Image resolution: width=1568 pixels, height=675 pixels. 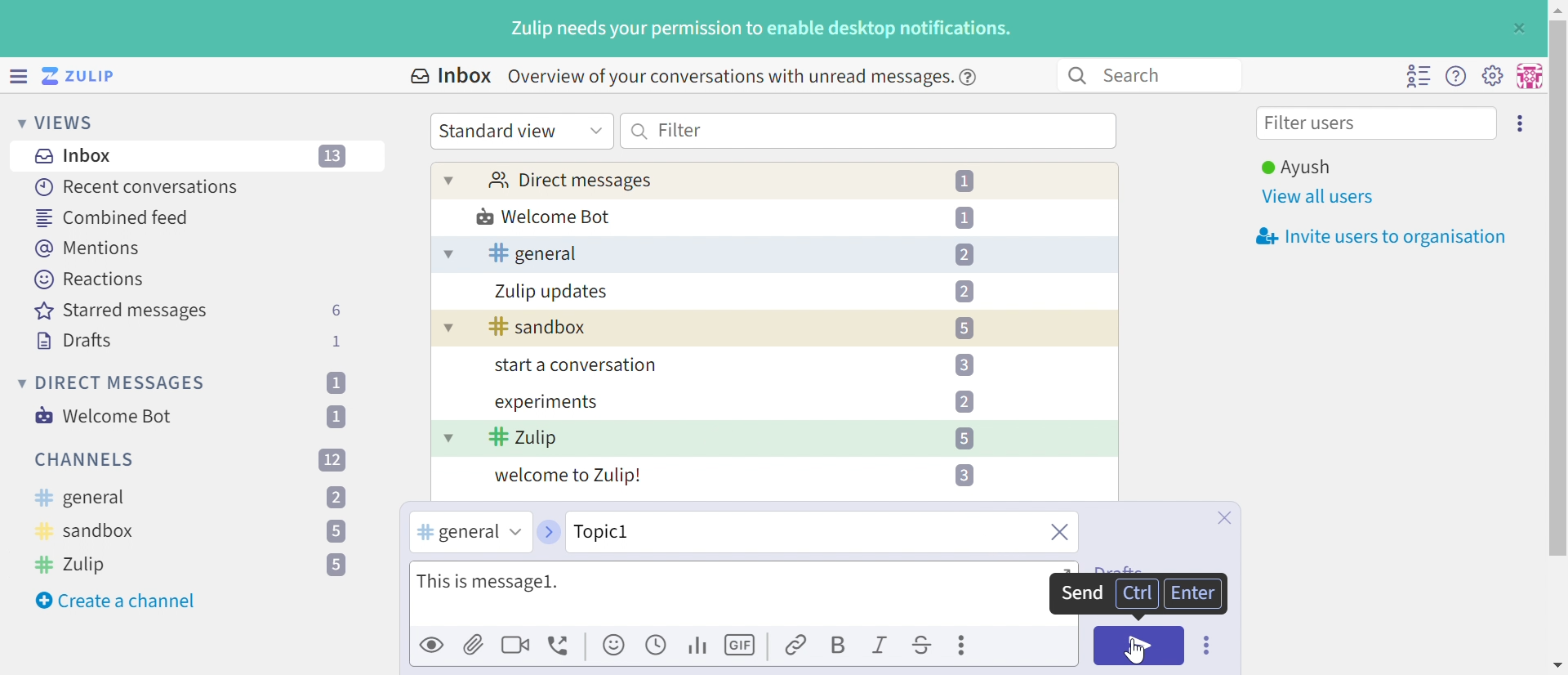 What do you see at coordinates (89, 279) in the screenshot?
I see `Reactions` at bounding box center [89, 279].